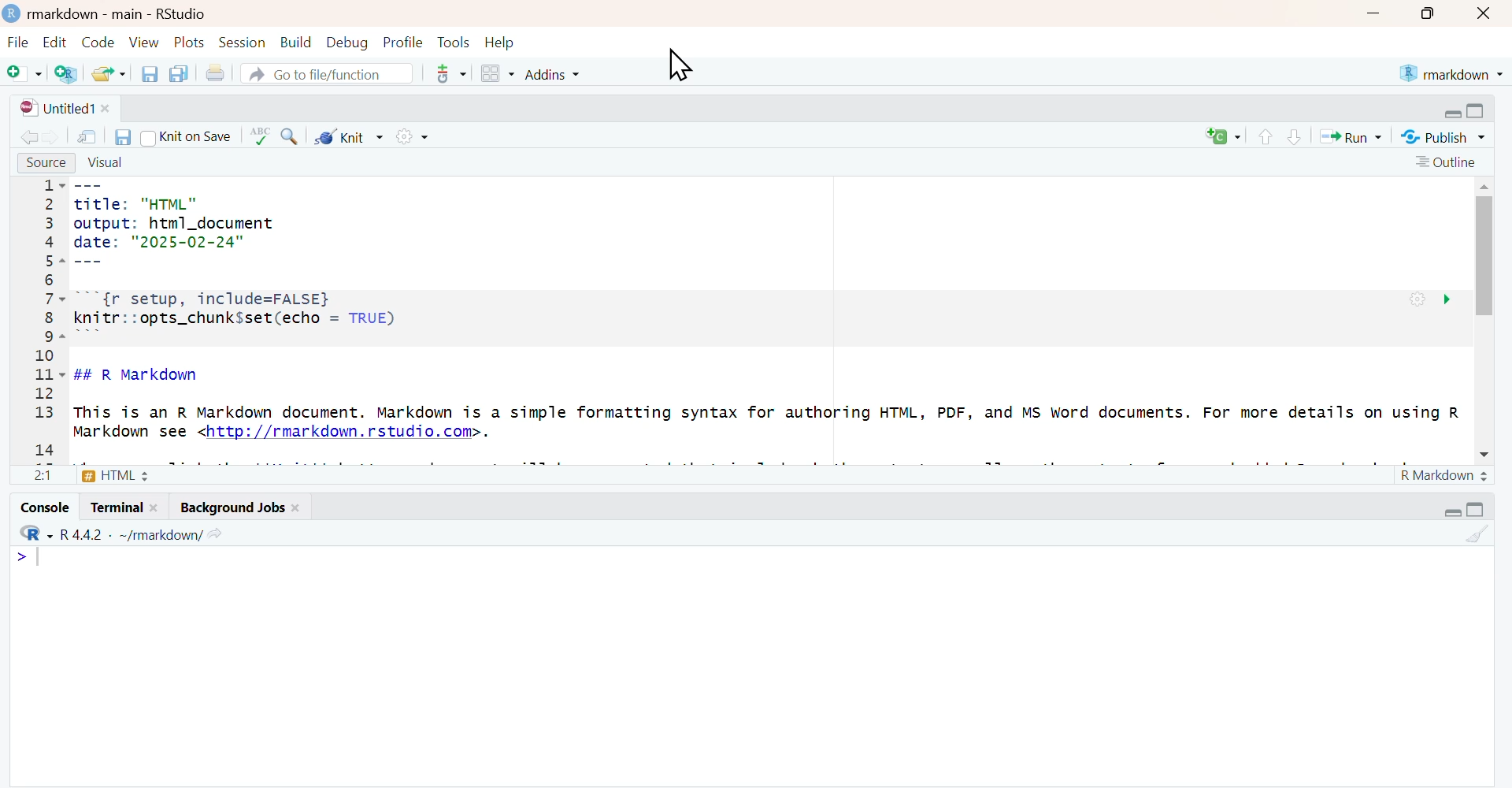 The image size is (1512, 788). Describe the element at coordinates (122, 13) in the screenshot. I see `Rmarkdown - main - RStudio` at that location.